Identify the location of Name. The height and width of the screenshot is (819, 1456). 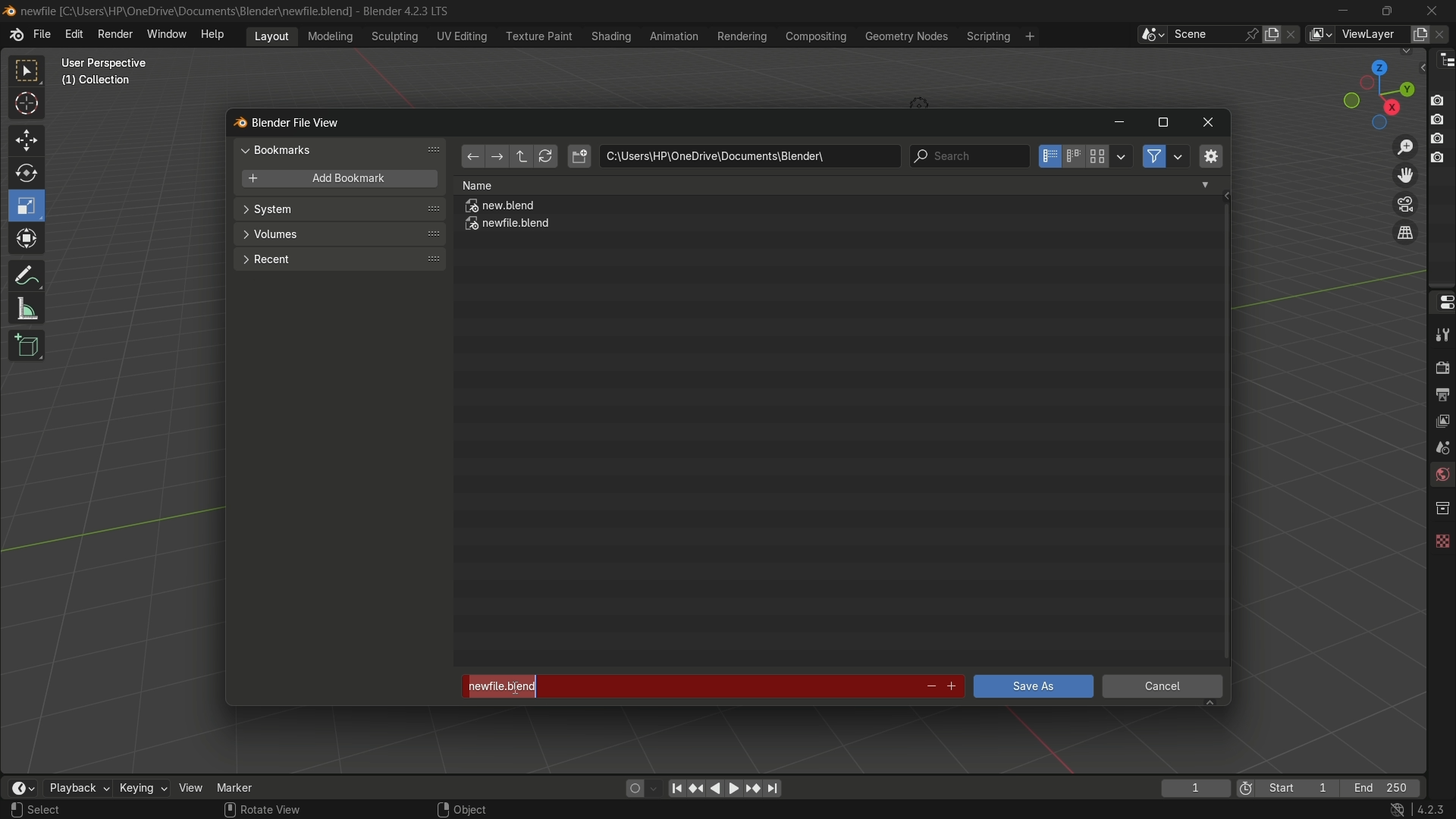
(836, 185).